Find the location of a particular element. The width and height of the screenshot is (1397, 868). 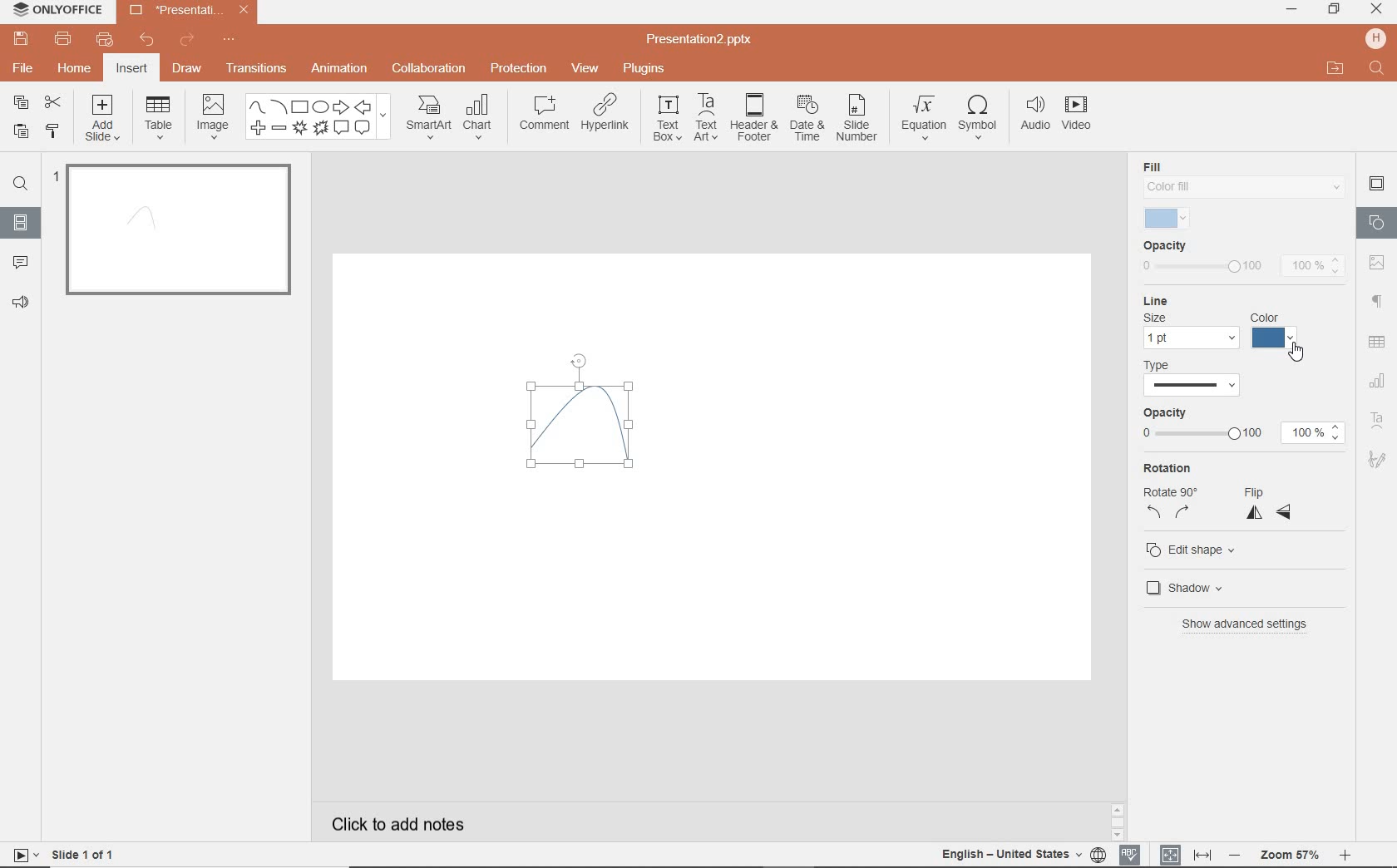

ADD SLIDE is located at coordinates (104, 121).